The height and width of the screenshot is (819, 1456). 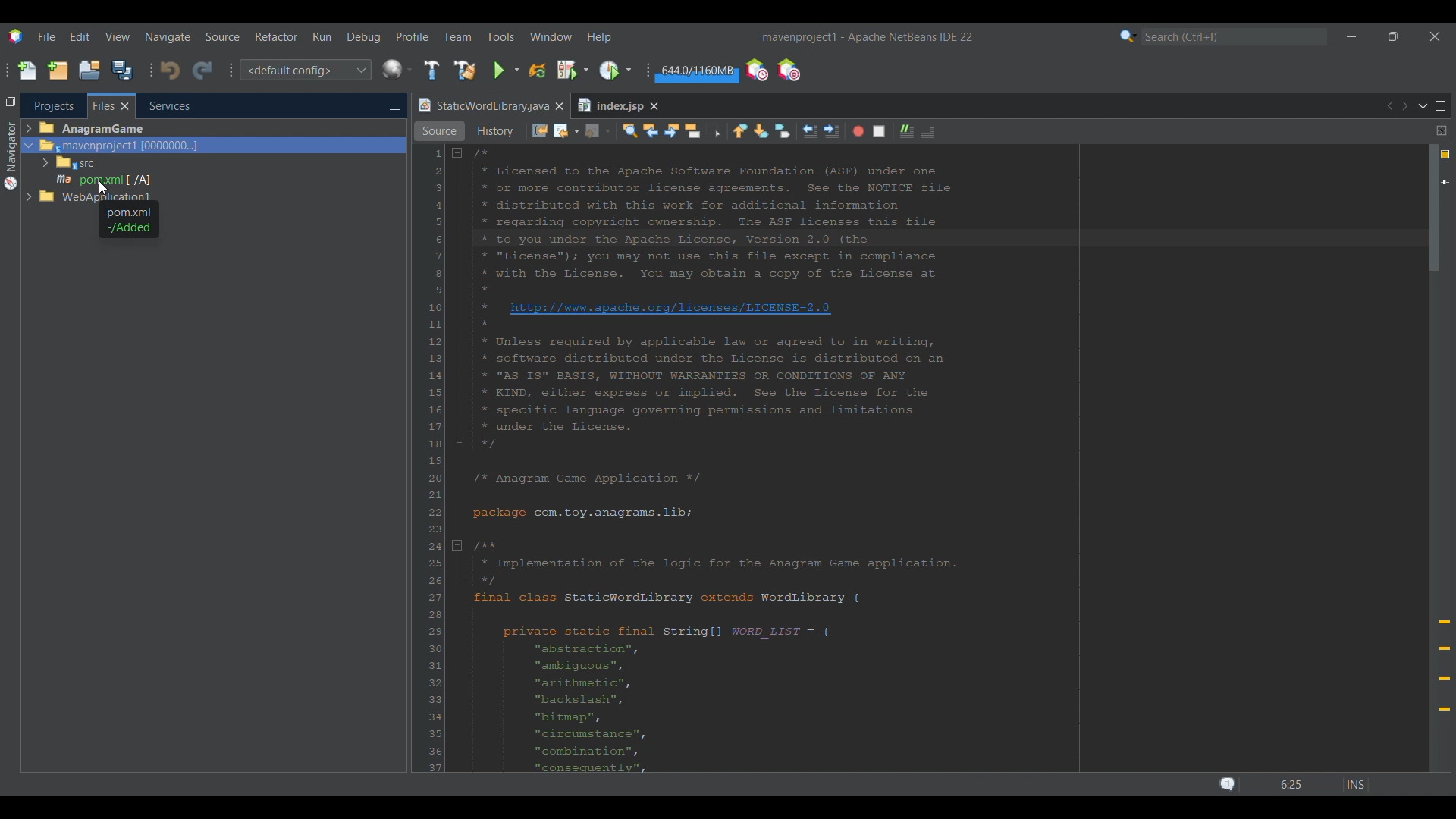 I want to click on Stop macro recording, so click(x=879, y=131).